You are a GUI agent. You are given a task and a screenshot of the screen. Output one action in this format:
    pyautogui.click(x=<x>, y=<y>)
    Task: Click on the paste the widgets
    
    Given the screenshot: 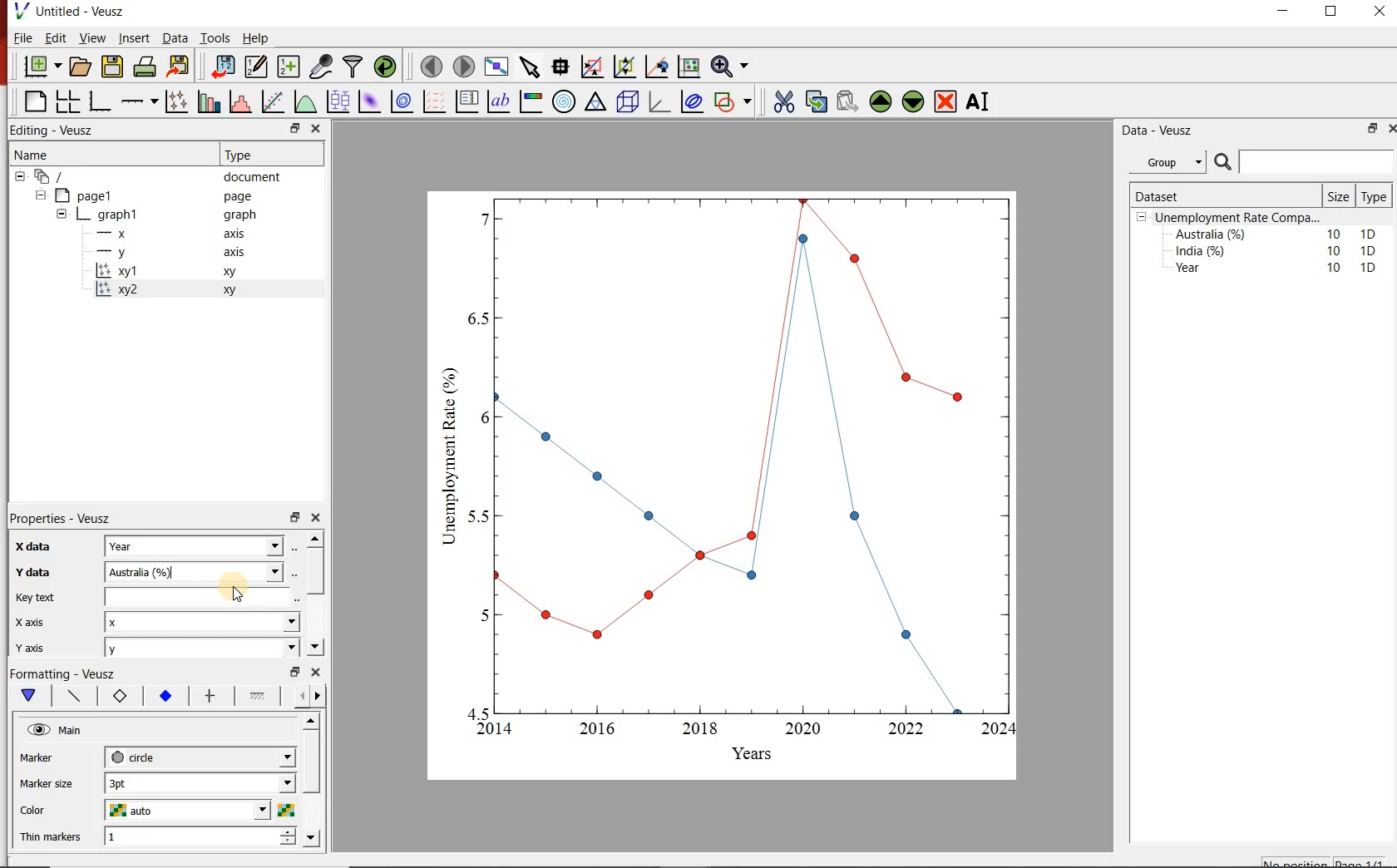 What is the action you would take?
    pyautogui.click(x=848, y=101)
    